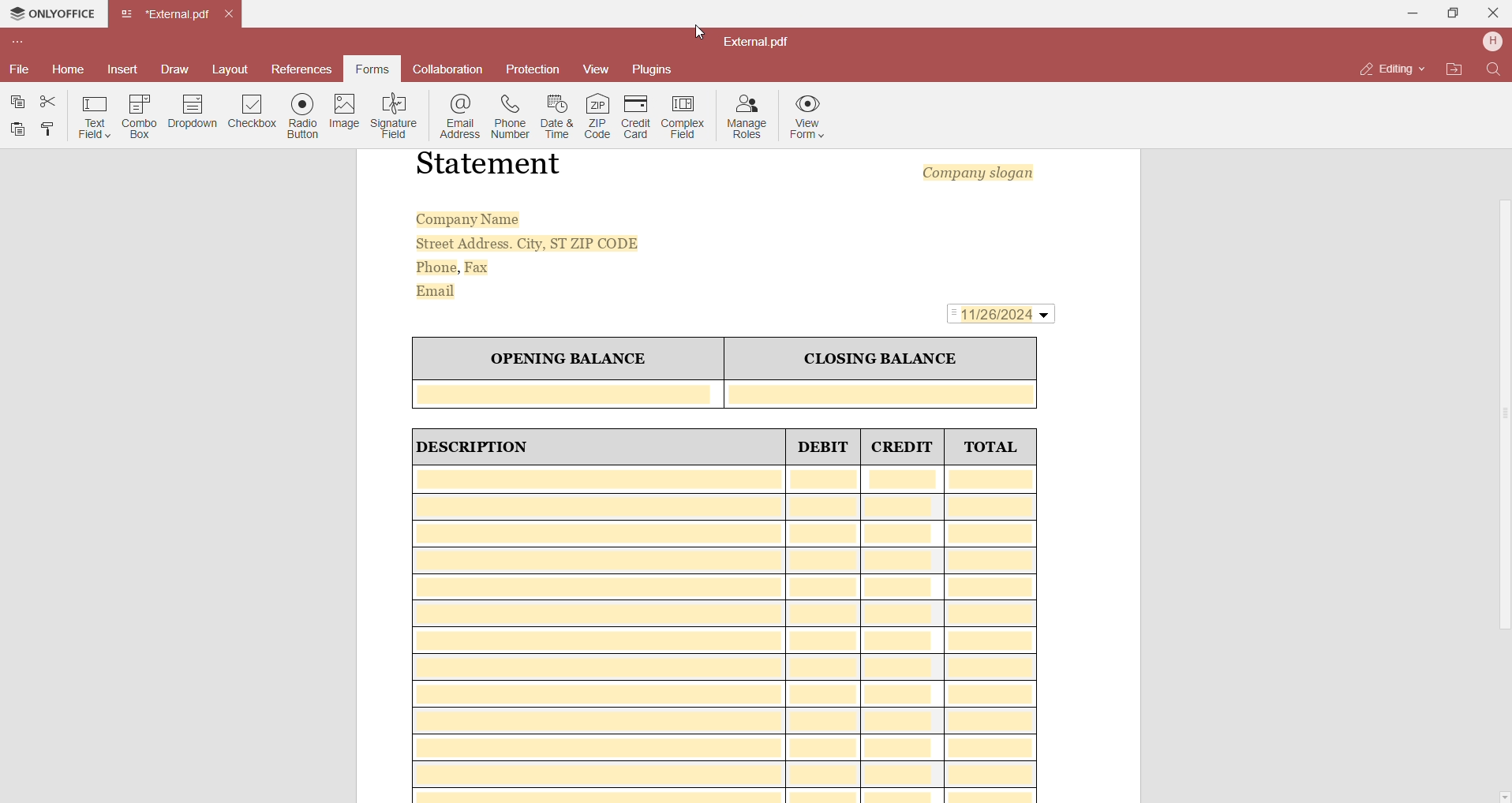  Describe the element at coordinates (20, 101) in the screenshot. I see `Copy` at that location.